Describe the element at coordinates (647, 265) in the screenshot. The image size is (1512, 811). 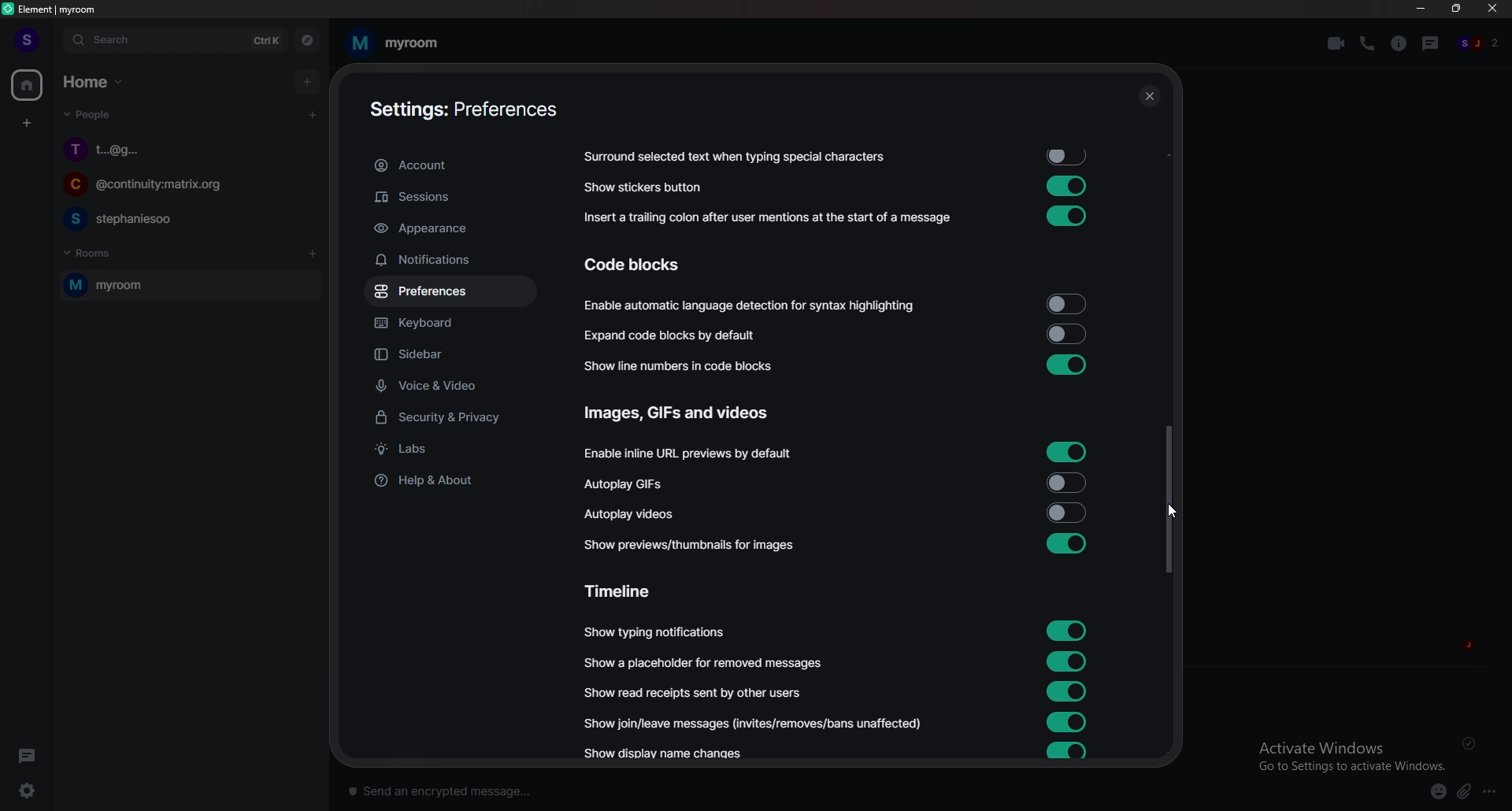
I see `code blocks` at that location.